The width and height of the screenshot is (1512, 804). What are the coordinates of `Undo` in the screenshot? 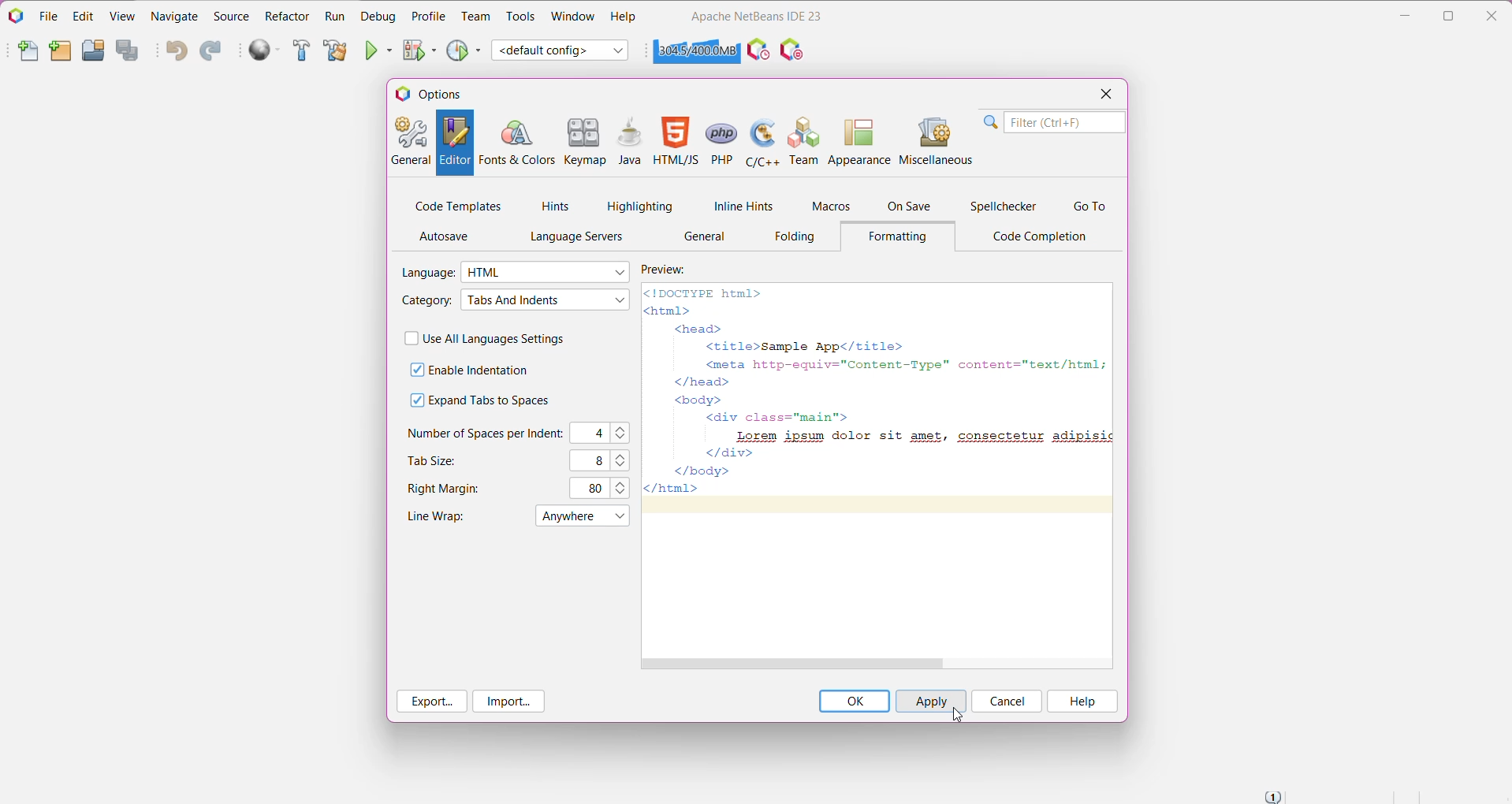 It's located at (176, 52).